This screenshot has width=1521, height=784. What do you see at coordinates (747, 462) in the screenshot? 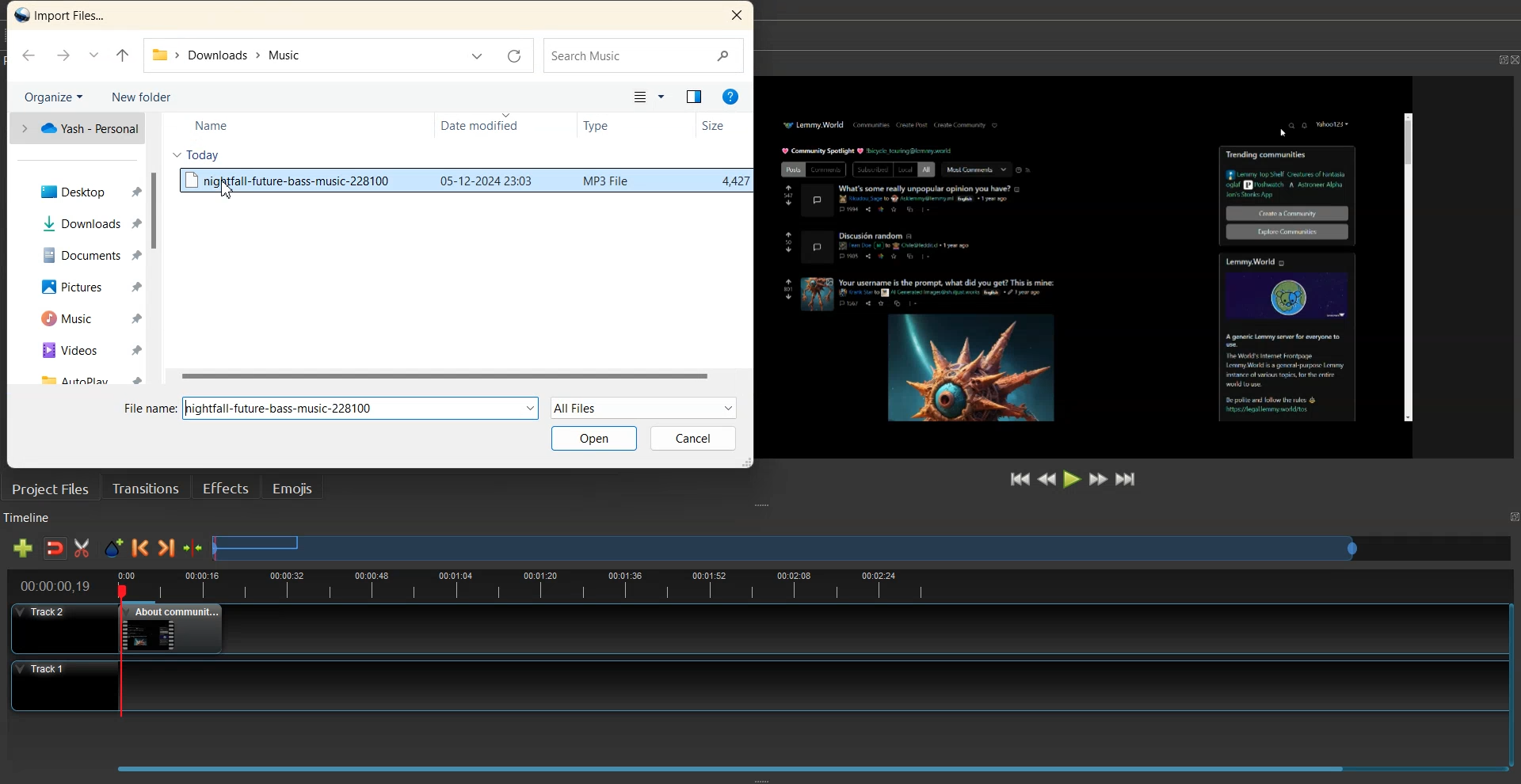
I see `Window Adjuster` at bounding box center [747, 462].